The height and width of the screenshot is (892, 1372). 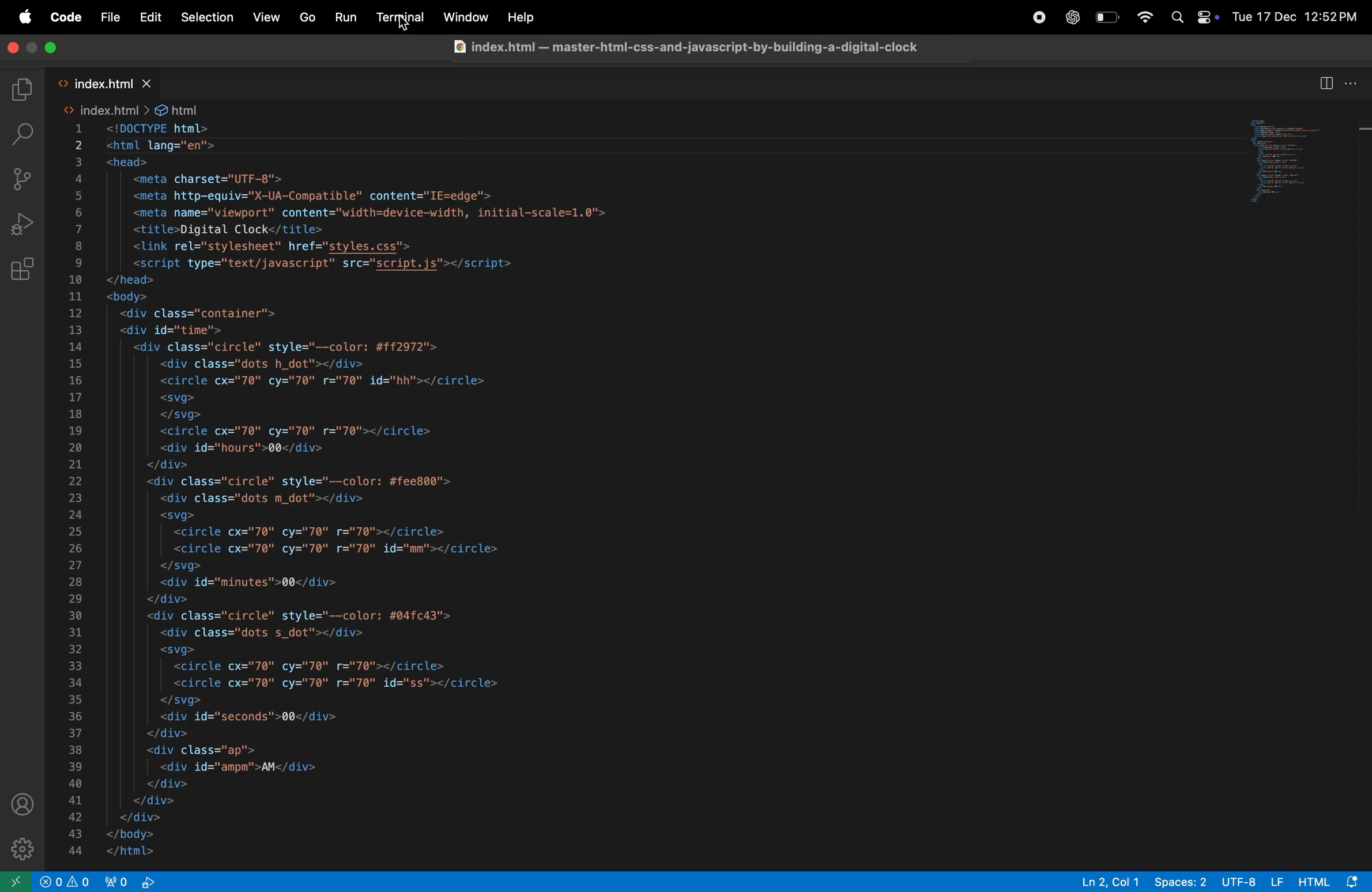 What do you see at coordinates (1067, 16) in the screenshot?
I see `chatgpt` at bounding box center [1067, 16].